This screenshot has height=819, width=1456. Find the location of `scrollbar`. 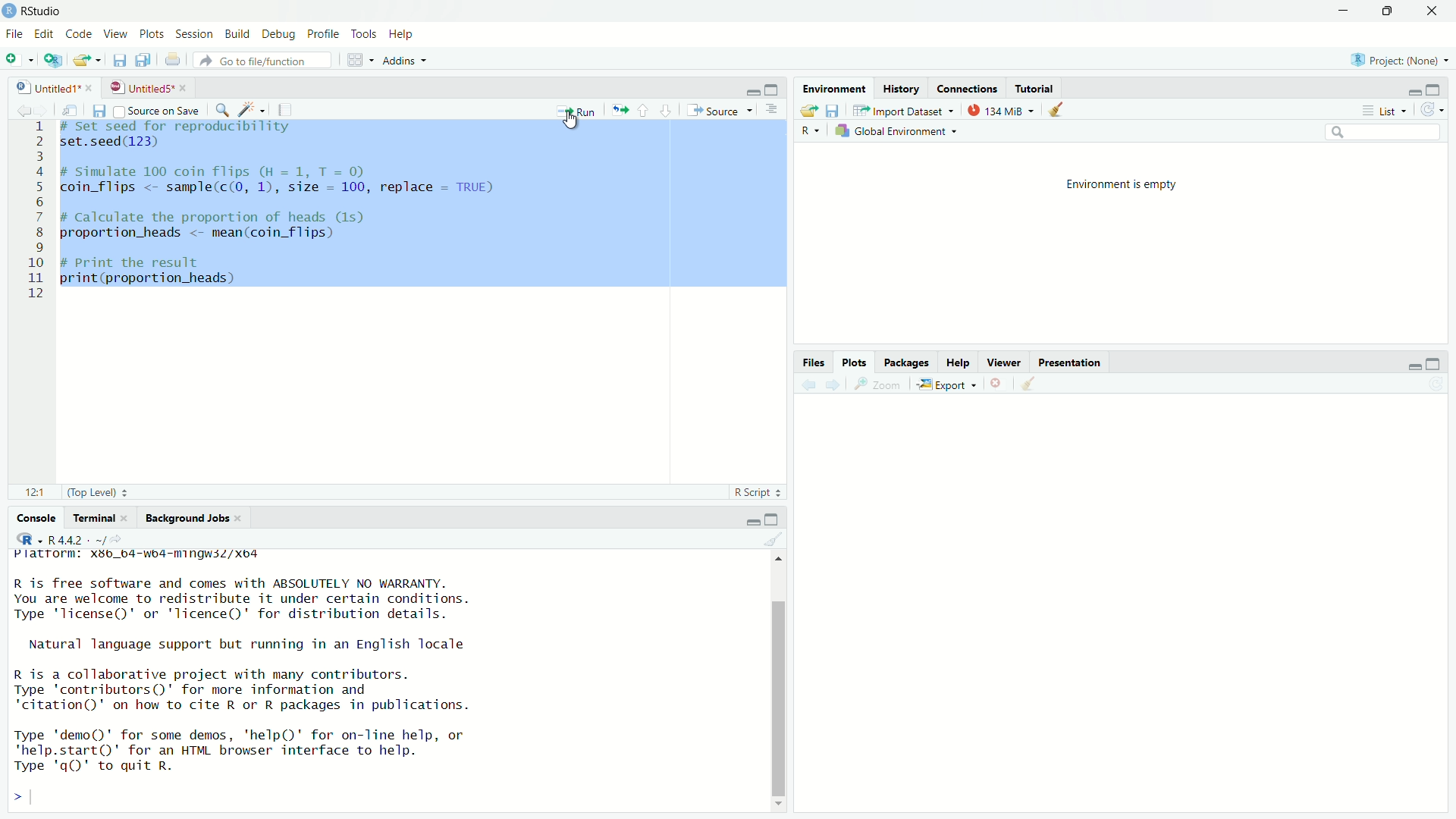

scrollbar is located at coordinates (777, 682).